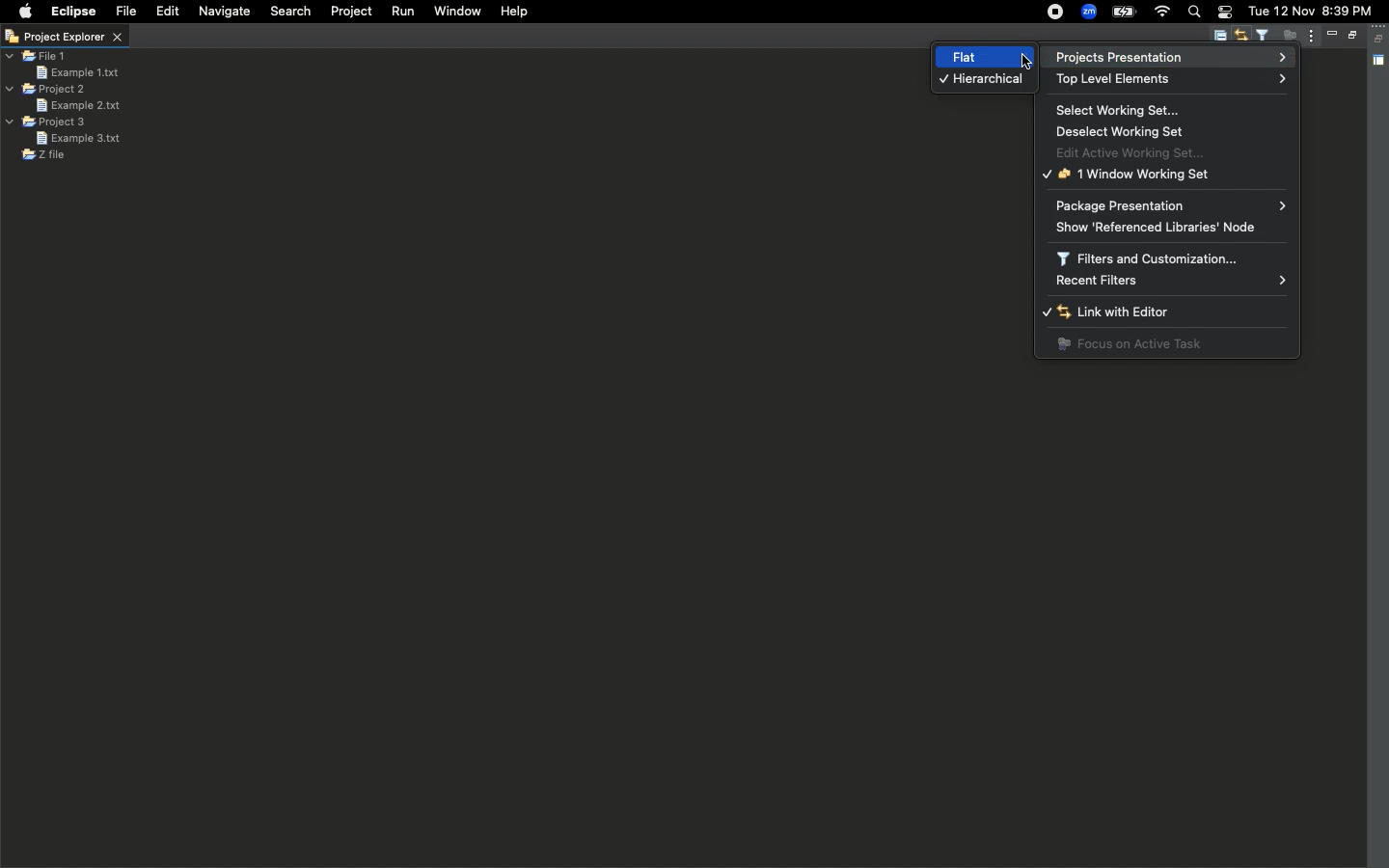 This screenshot has height=868, width=1389. I want to click on Edit active working set, so click(1139, 151).